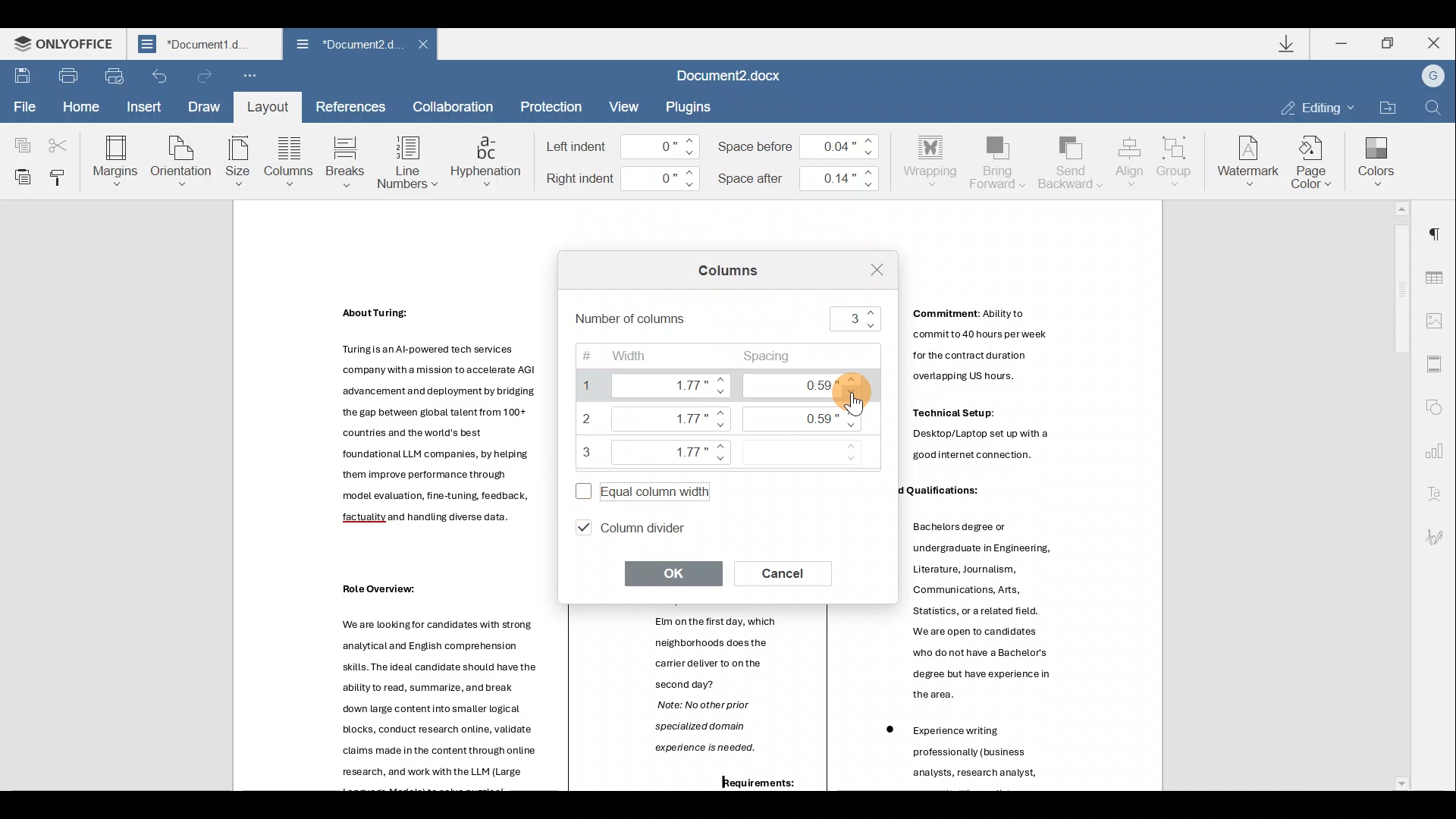 Image resolution: width=1456 pixels, height=819 pixels. Describe the element at coordinates (623, 147) in the screenshot. I see `Left indent` at that location.